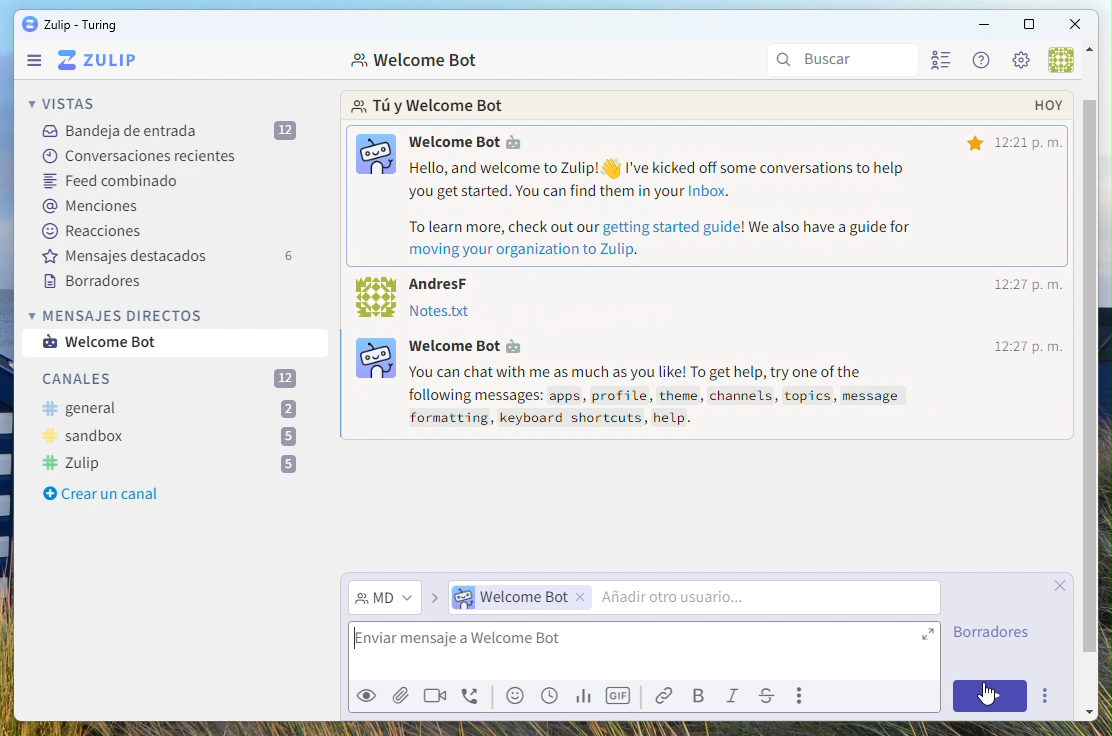  I want to click on Box, so click(1028, 26).